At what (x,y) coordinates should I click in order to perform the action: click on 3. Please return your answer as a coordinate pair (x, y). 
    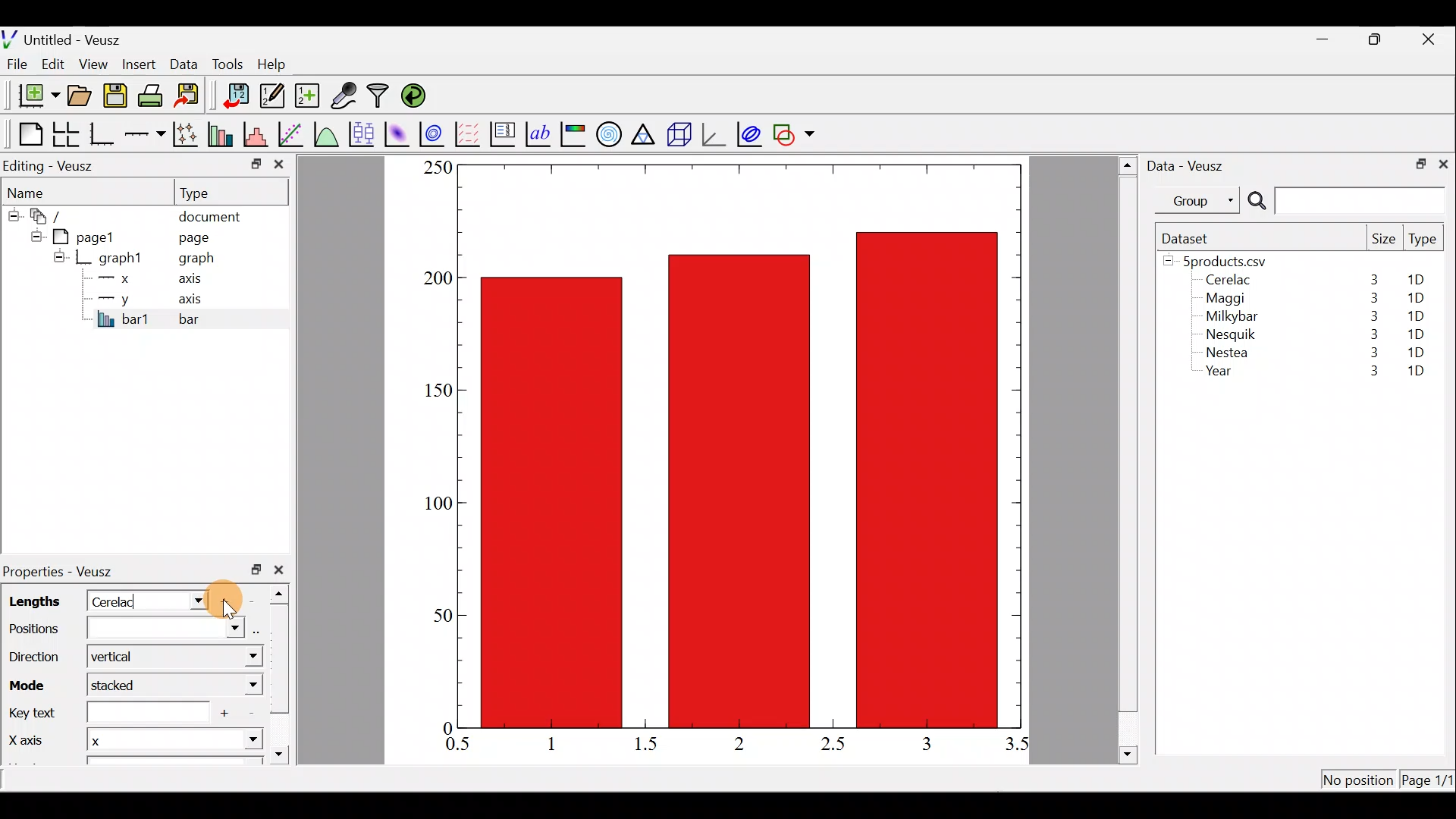
    Looking at the image, I should click on (1371, 334).